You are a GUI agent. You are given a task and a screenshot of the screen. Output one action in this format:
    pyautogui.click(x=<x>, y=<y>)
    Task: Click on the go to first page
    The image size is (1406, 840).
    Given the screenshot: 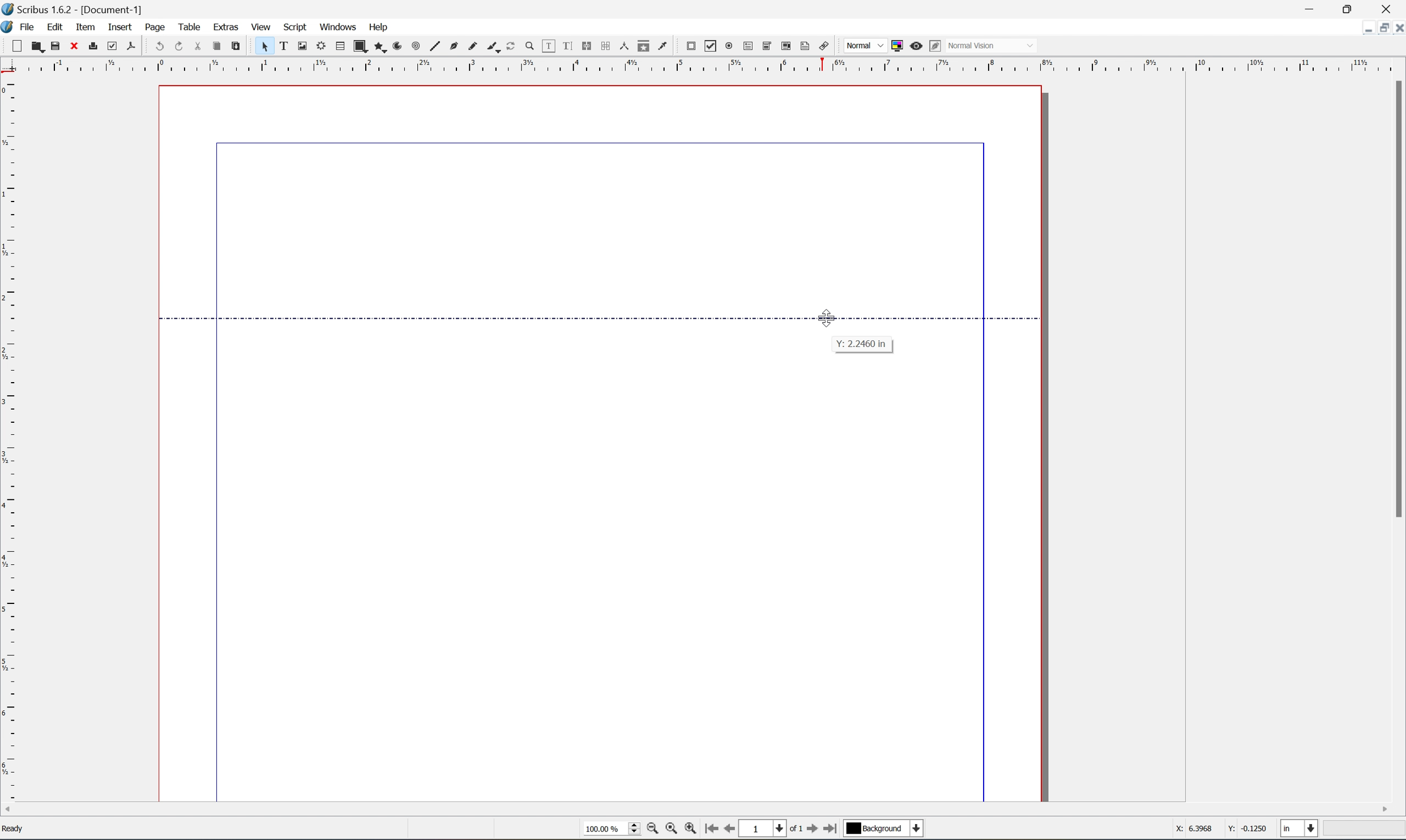 What is the action you would take?
    pyautogui.click(x=811, y=830)
    